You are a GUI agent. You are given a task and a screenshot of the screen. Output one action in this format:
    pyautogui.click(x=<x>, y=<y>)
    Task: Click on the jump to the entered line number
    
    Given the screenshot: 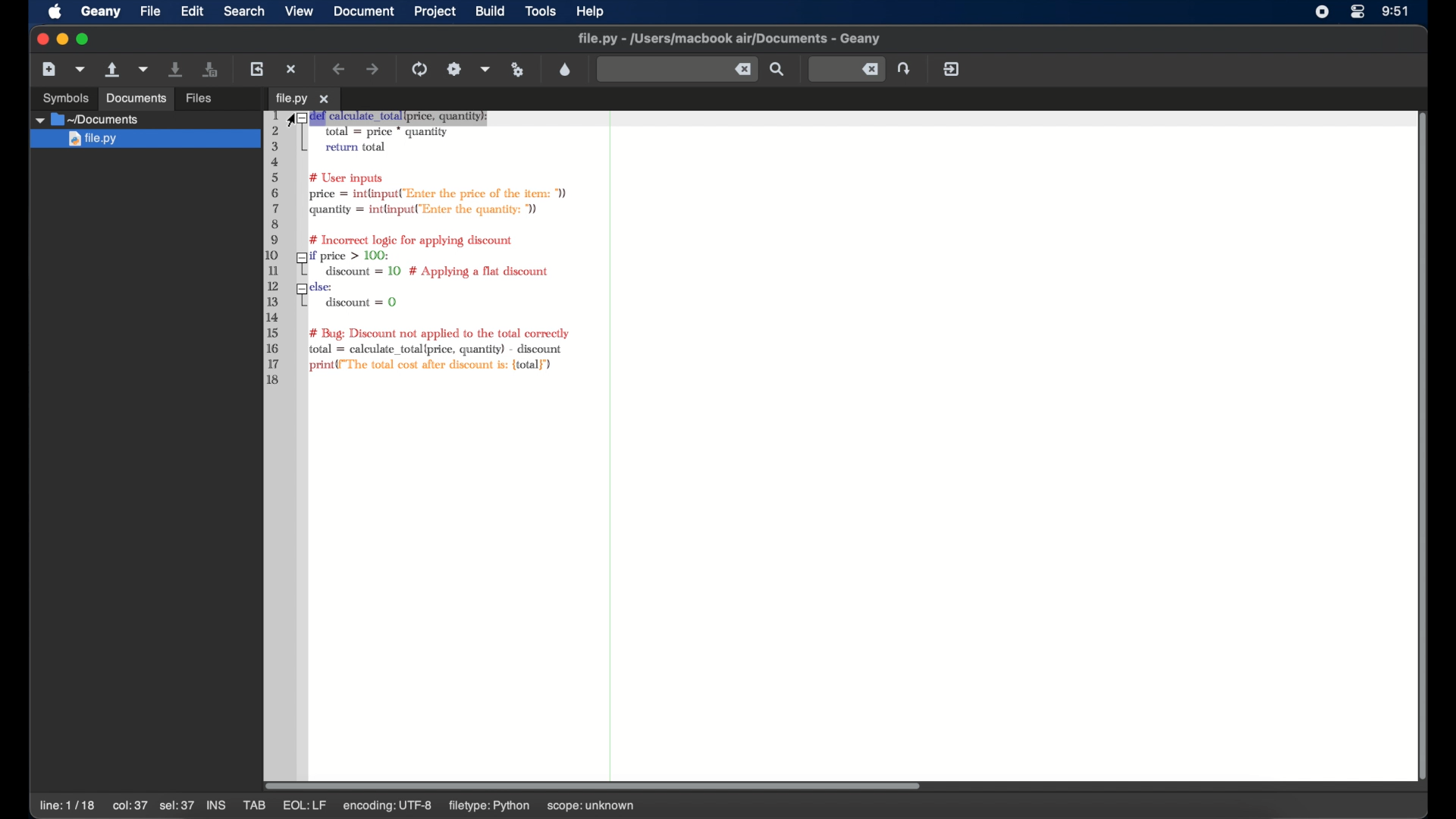 What is the action you would take?
    pyautogui.click(x=847, y=69)
    